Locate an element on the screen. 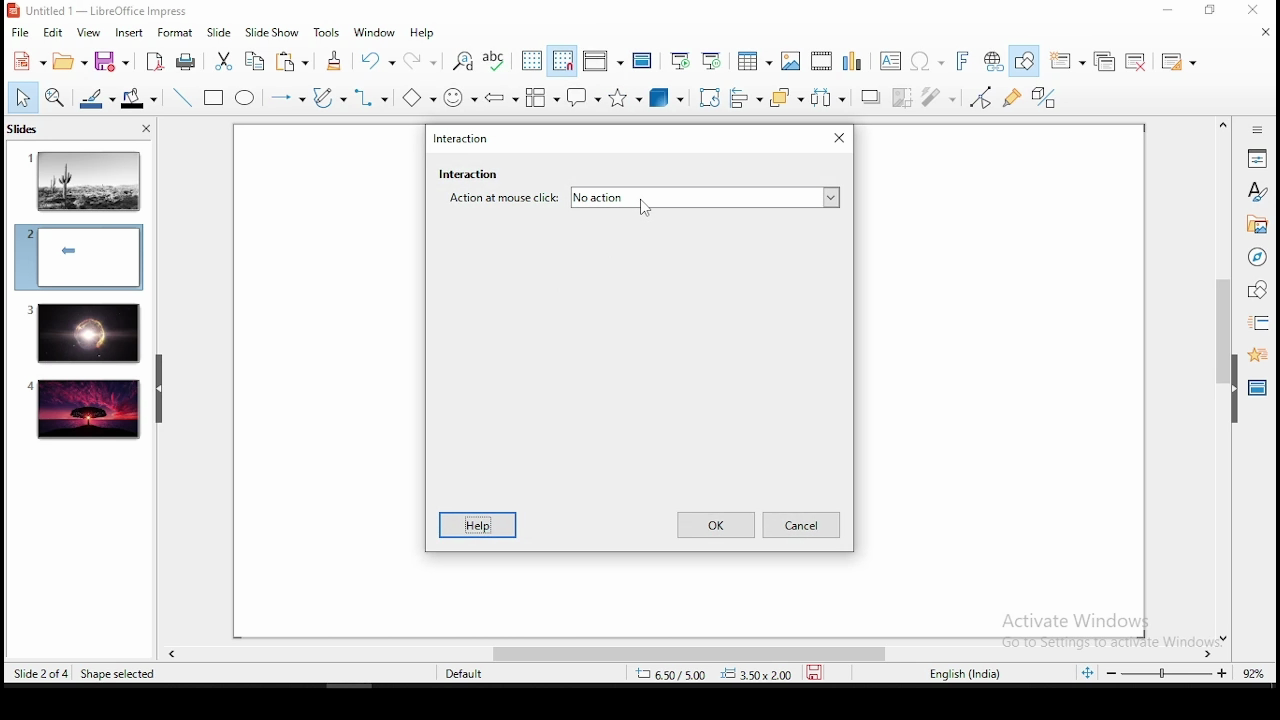 The image size is (1280, 720). tables is located at coordinates (753, 58).